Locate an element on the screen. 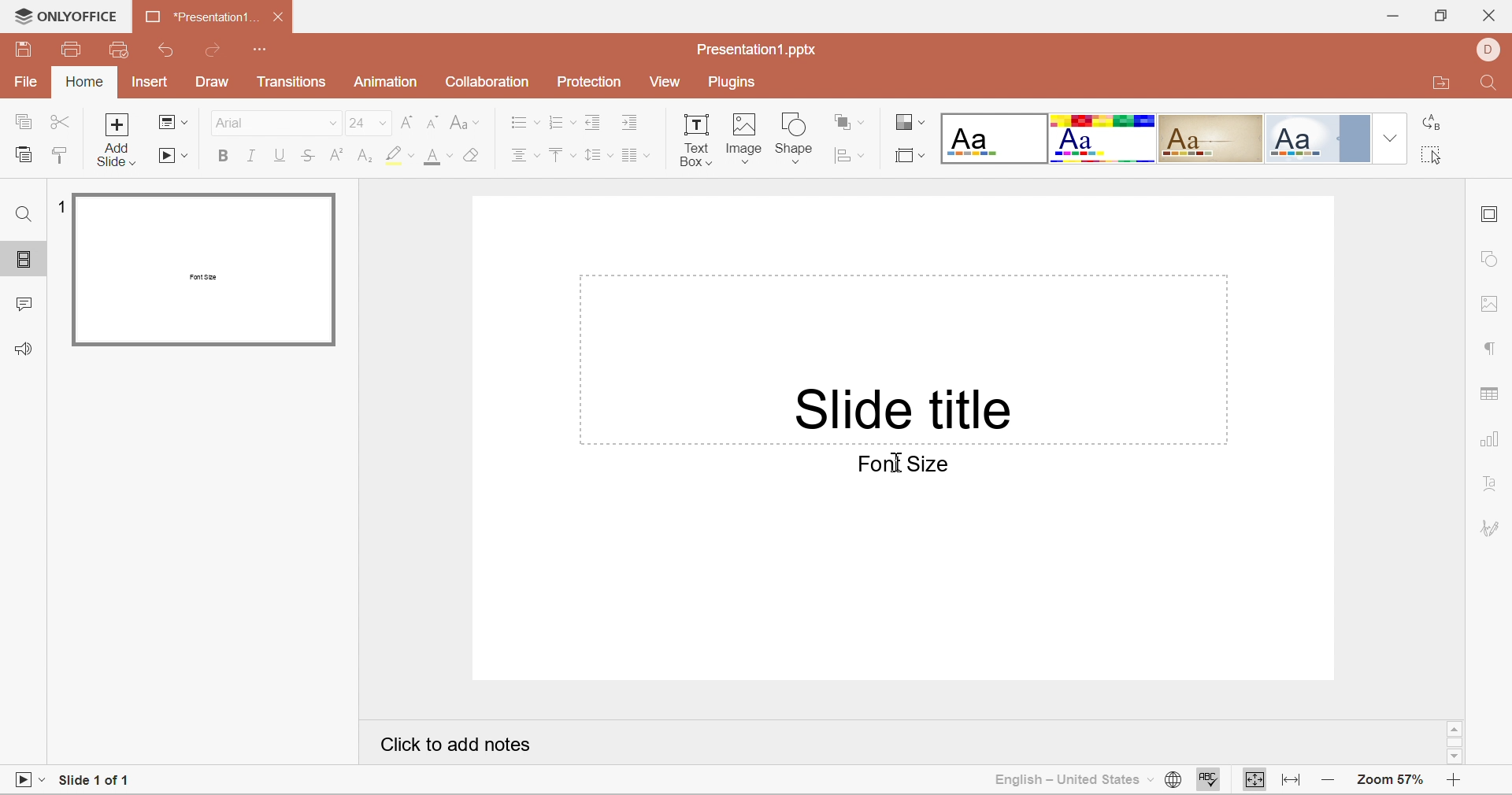 The width and height of the screenshot is (1512, 795). Start slideshow is located at coordinates (174, 158).